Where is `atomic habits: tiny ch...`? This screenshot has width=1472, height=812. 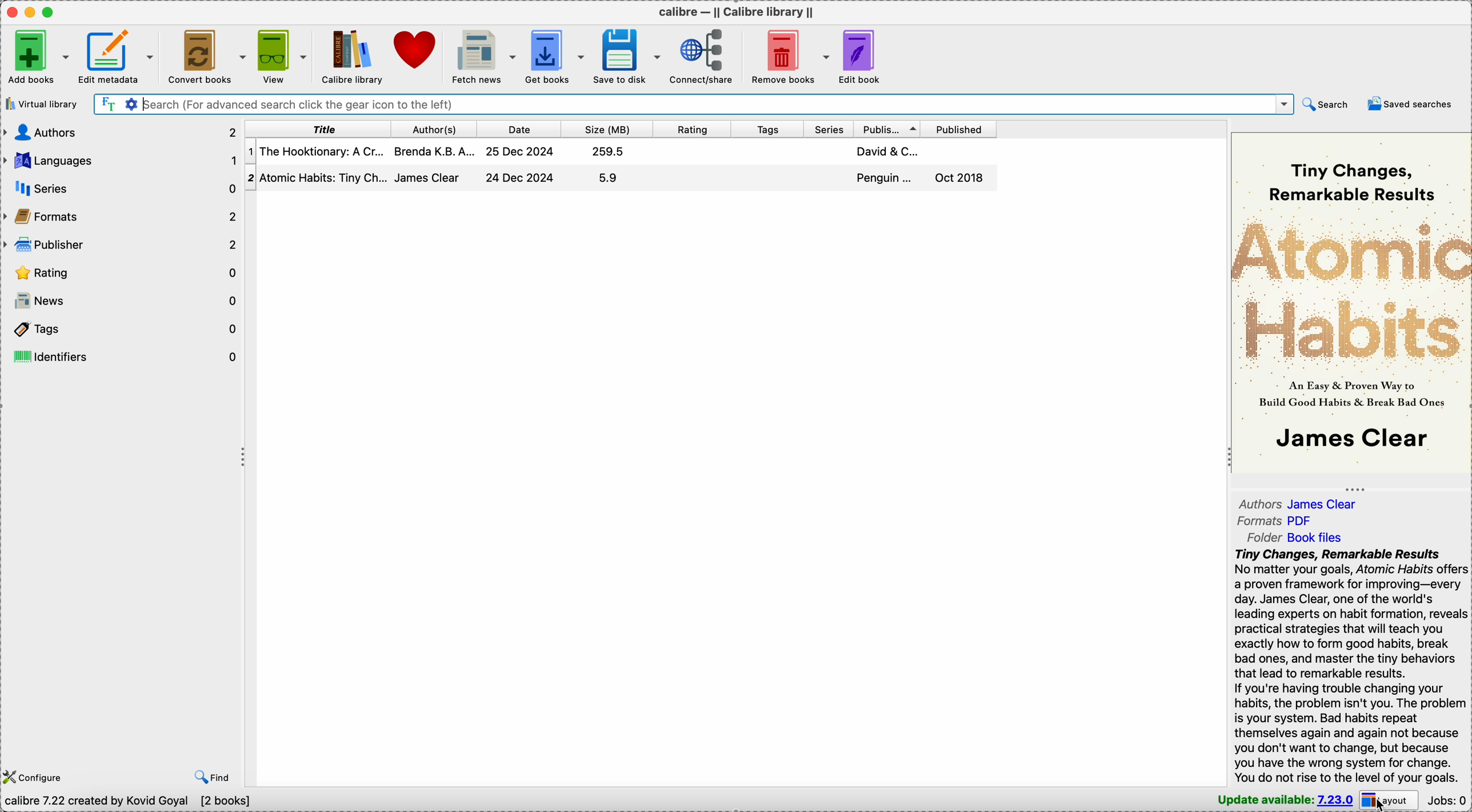 atomic habits: tiny ch... is located at coordinates (325, 177).